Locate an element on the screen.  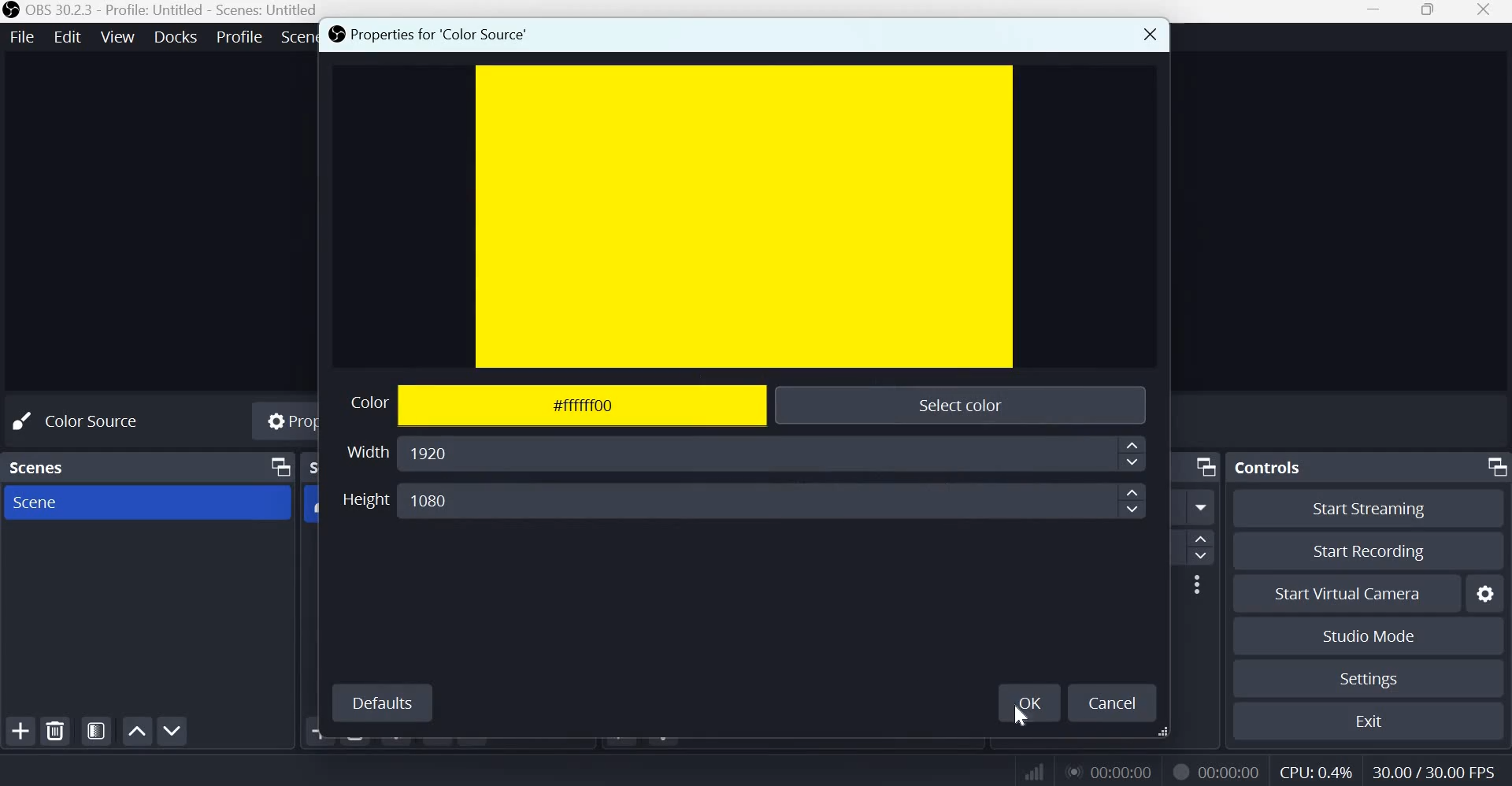
File is located at coordinates (26, 35).